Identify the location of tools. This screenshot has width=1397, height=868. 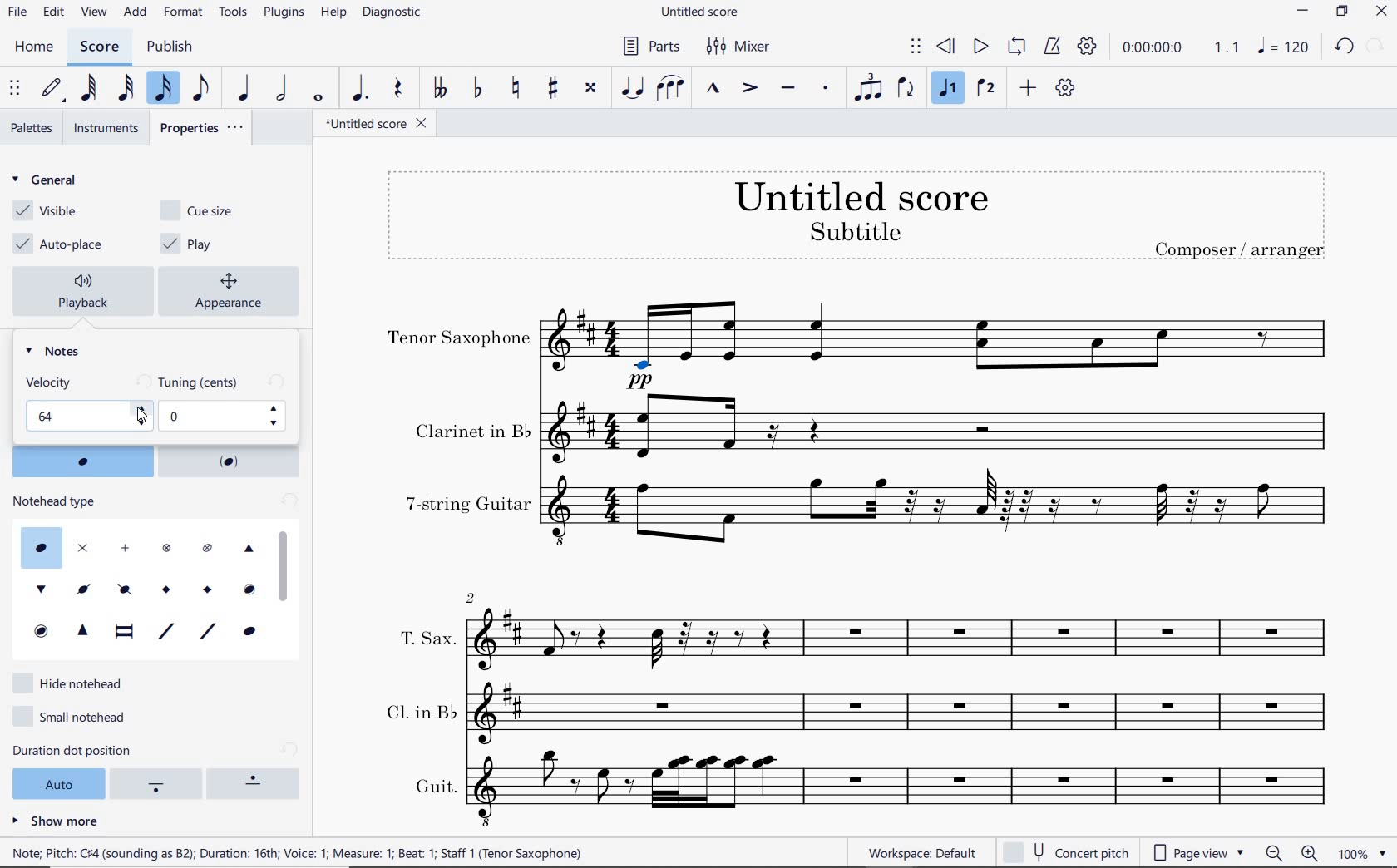
(231, 13).